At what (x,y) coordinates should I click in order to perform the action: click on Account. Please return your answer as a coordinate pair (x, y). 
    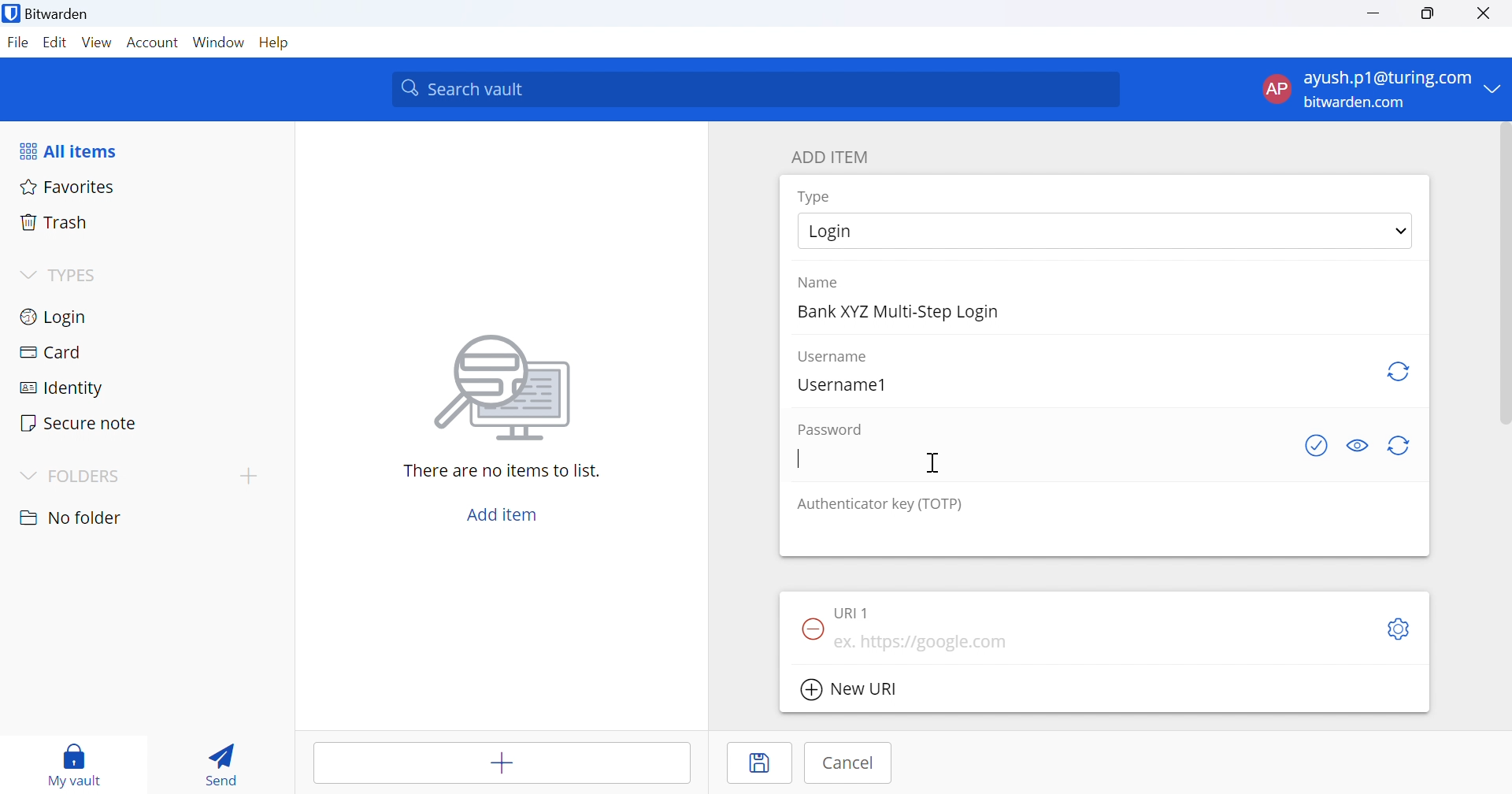
    Looking at the image, I should click on (154, 43).